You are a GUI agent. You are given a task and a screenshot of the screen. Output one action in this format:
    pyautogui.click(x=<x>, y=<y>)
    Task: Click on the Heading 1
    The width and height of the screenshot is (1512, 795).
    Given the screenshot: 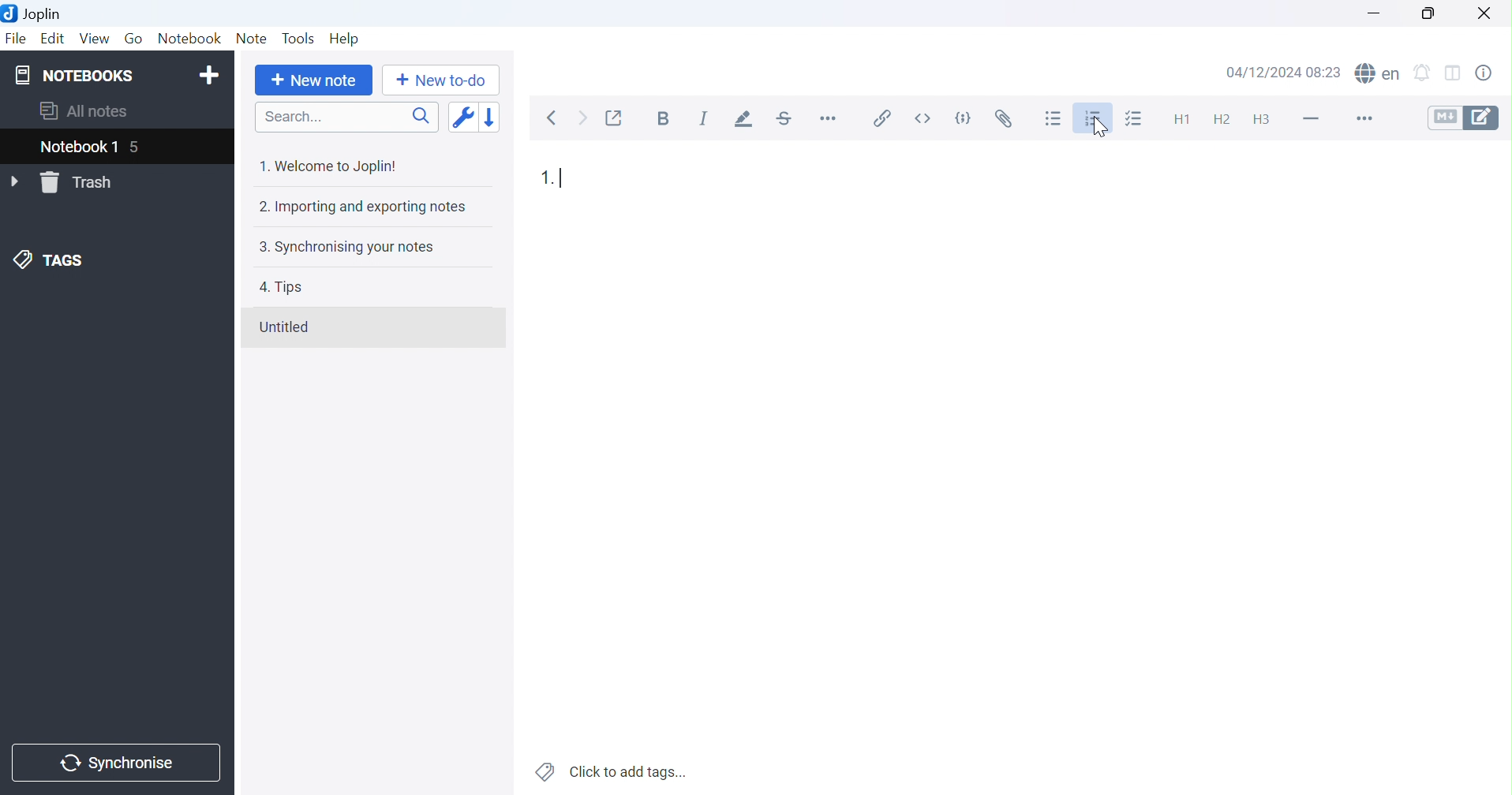 What is the action you would take?
    pyautogui.click(x=1178, y=119)
    